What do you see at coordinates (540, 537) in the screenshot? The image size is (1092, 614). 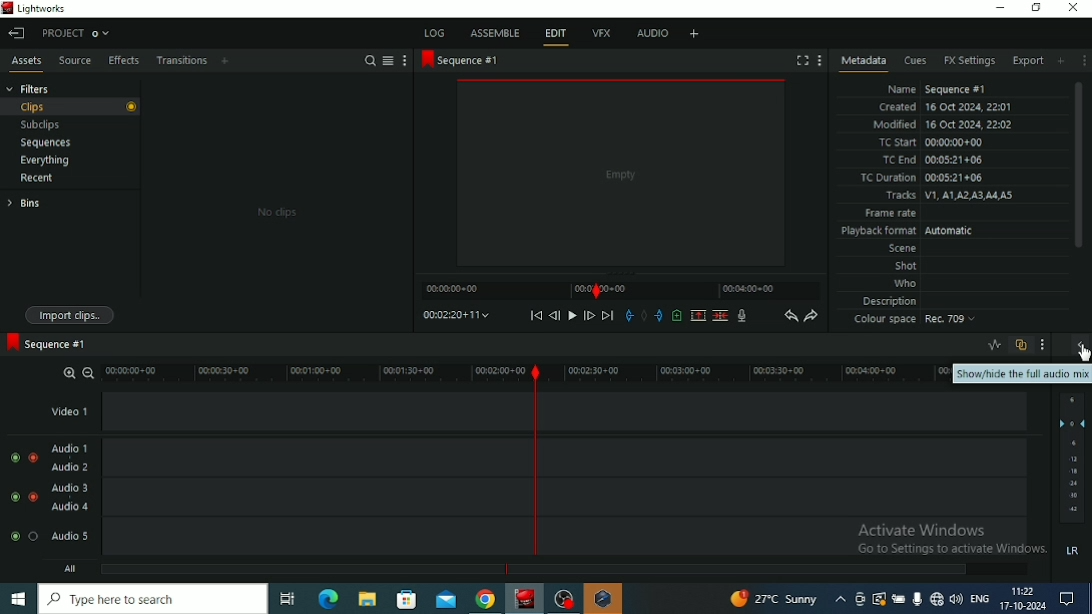 I see `Audio 5` at bounding box center [540, 537].